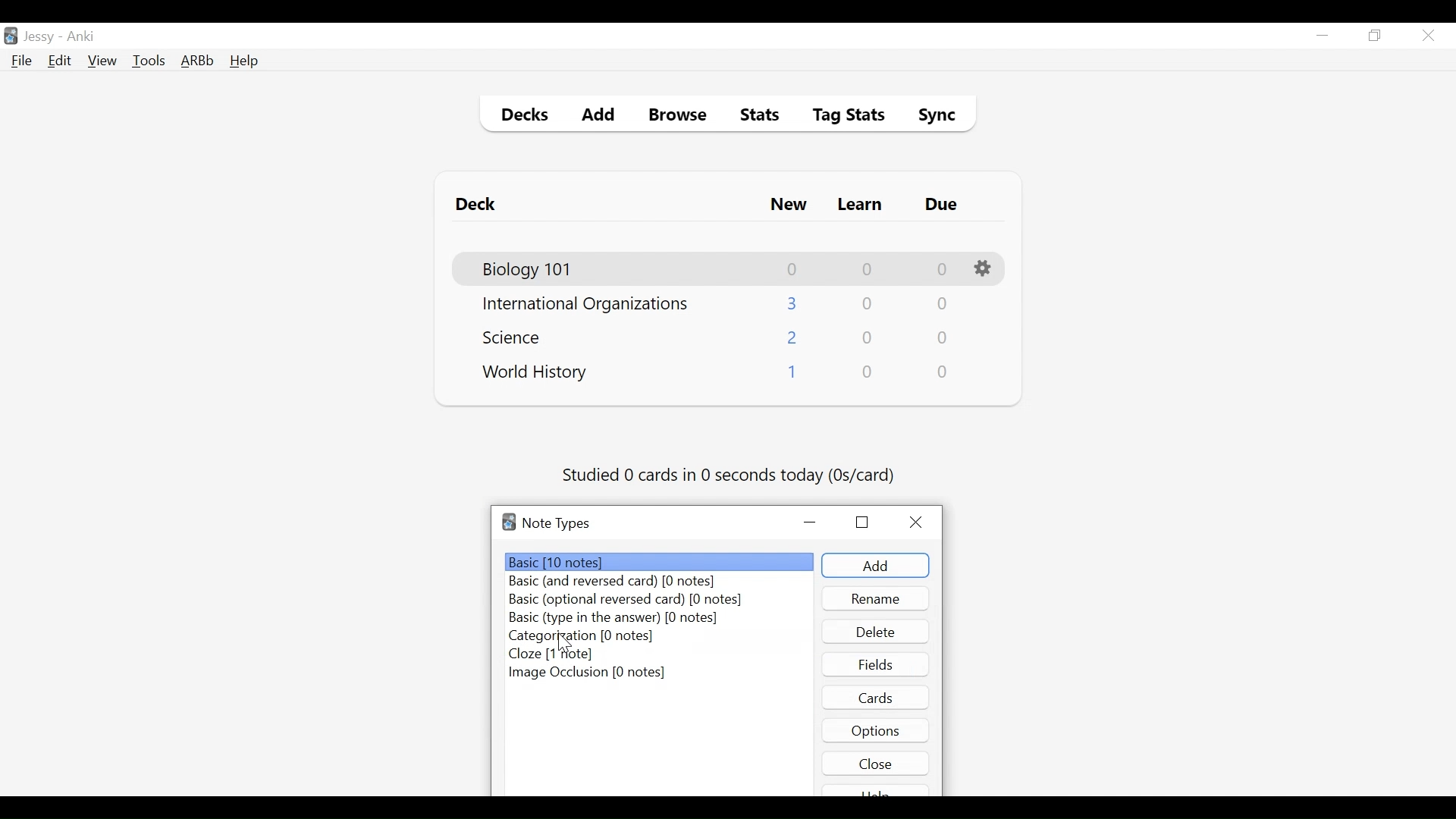 This screenshot has width=1456, height=819. I want to click on New Card Count, so click(791, 375).